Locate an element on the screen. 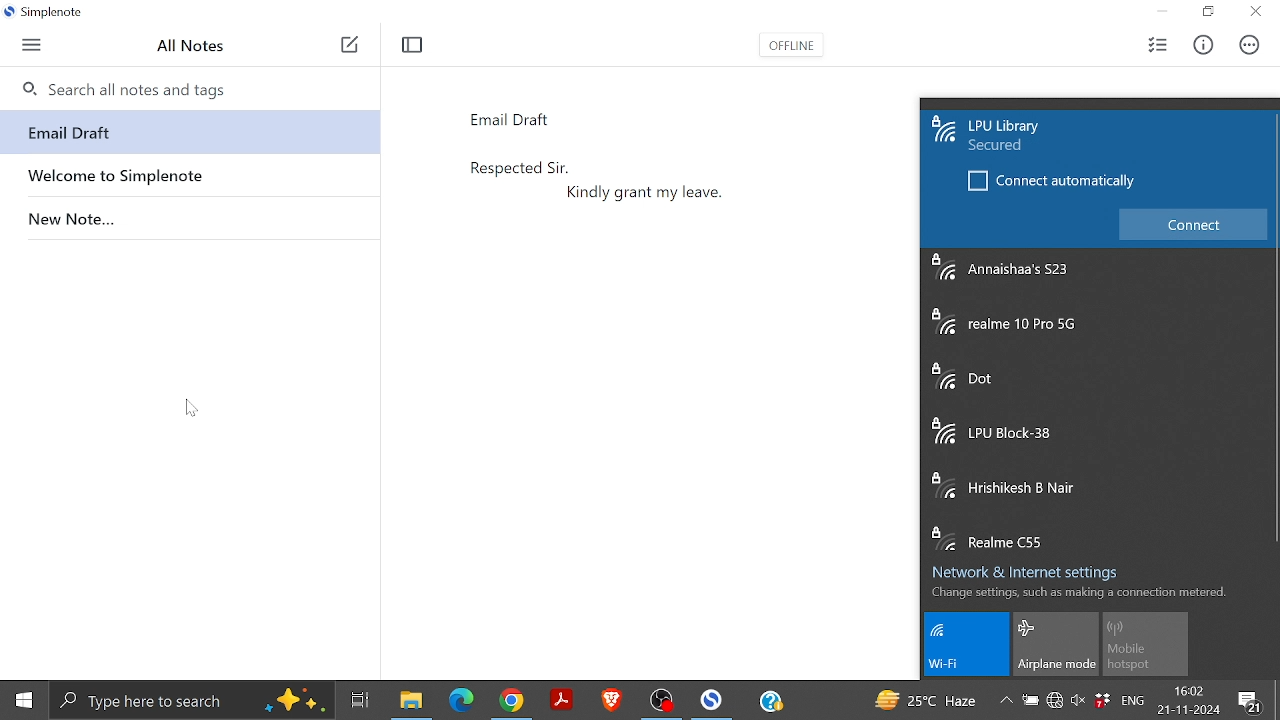 This screenshot has height=720, width=1280. Add note is located at coordinates (349, 46).